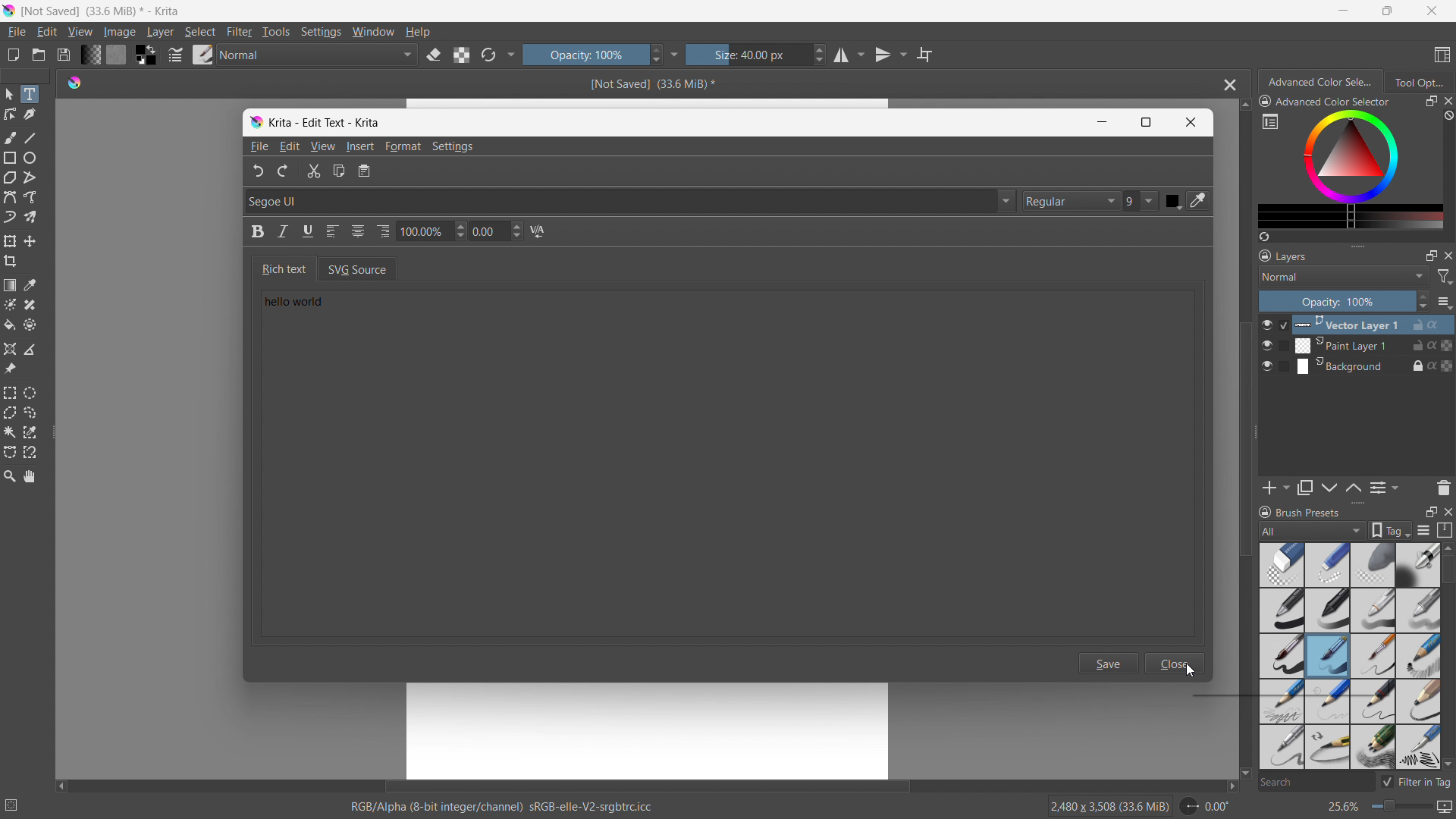 This screenshot has width=1456, height=819. What do you see at coordinates (283, 232) in the screenshot?
I see `Italic` at bounding box center [283, 232].